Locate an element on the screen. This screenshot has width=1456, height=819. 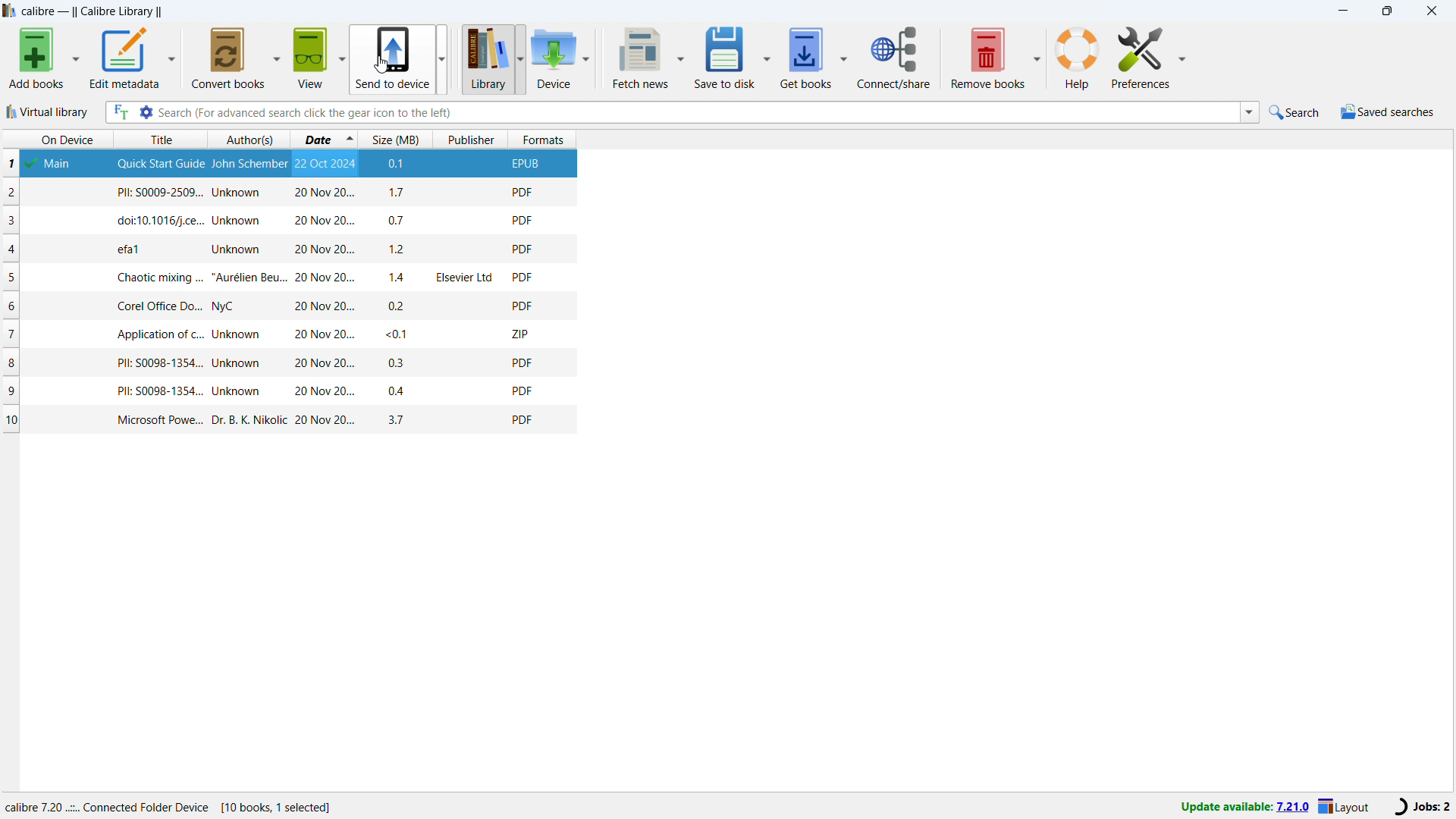
one book entry is located at coordinates (286, 334).